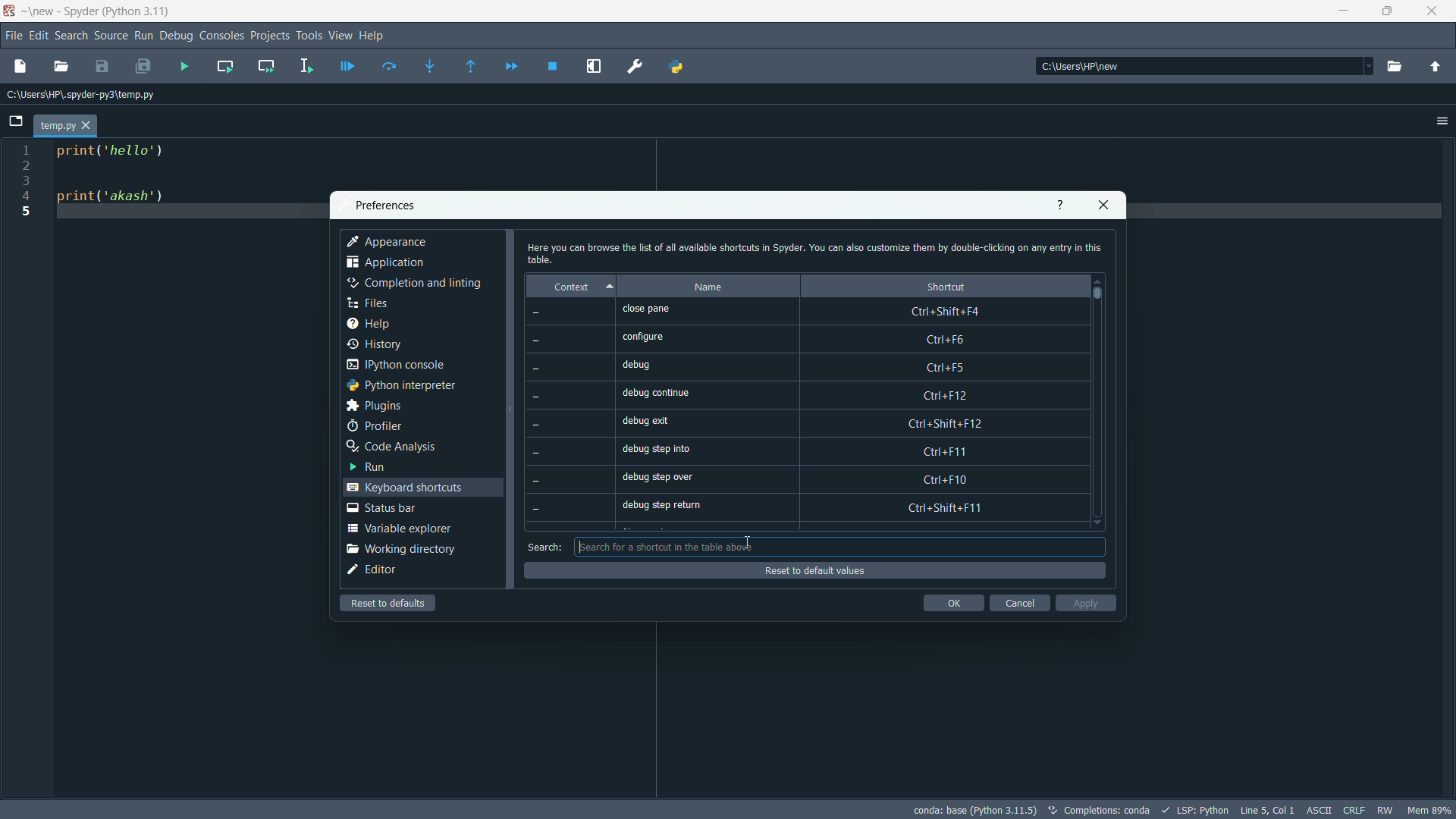  Describe the element at coordinates (373, 571) in the screenshot. I see `editor` at that location.